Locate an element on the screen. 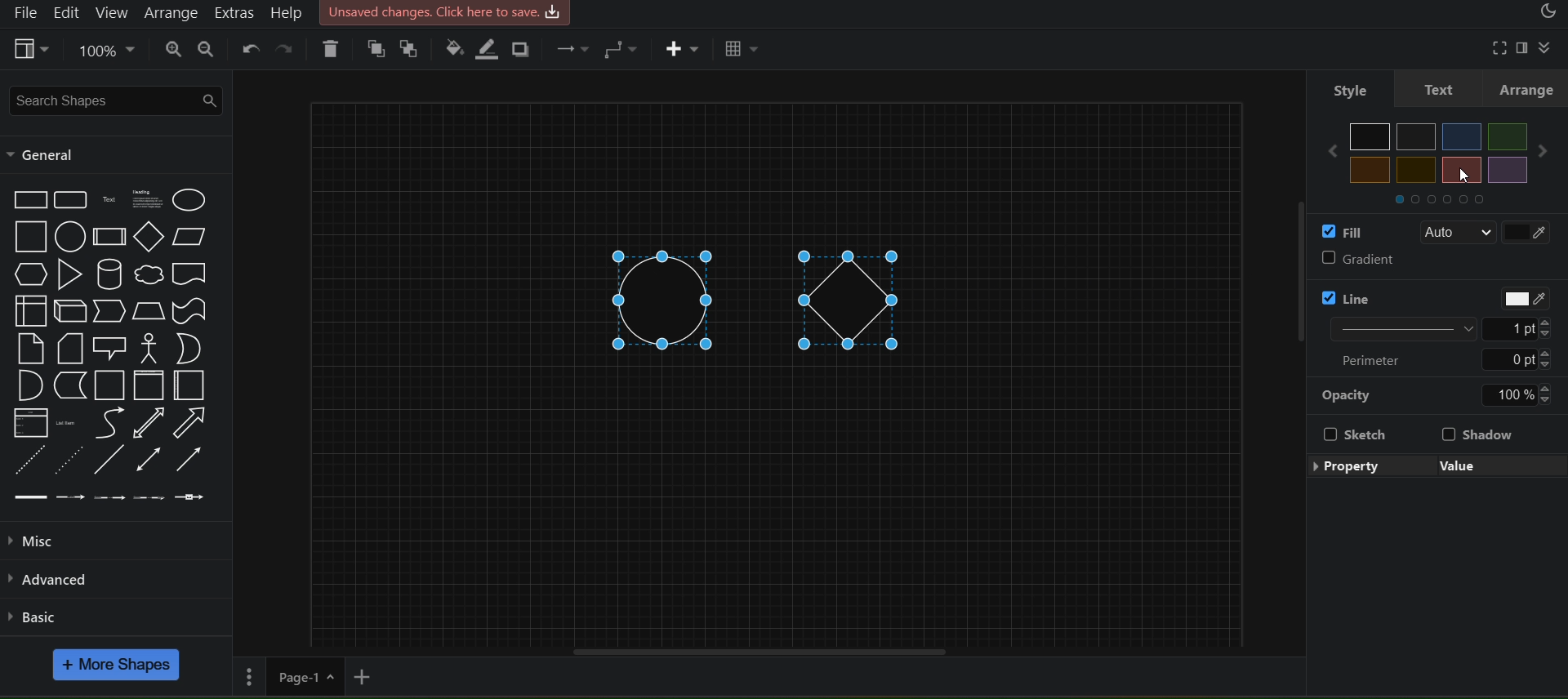 This screenshot has width=1568, height=699. Line is located at coordinates (111, 458).